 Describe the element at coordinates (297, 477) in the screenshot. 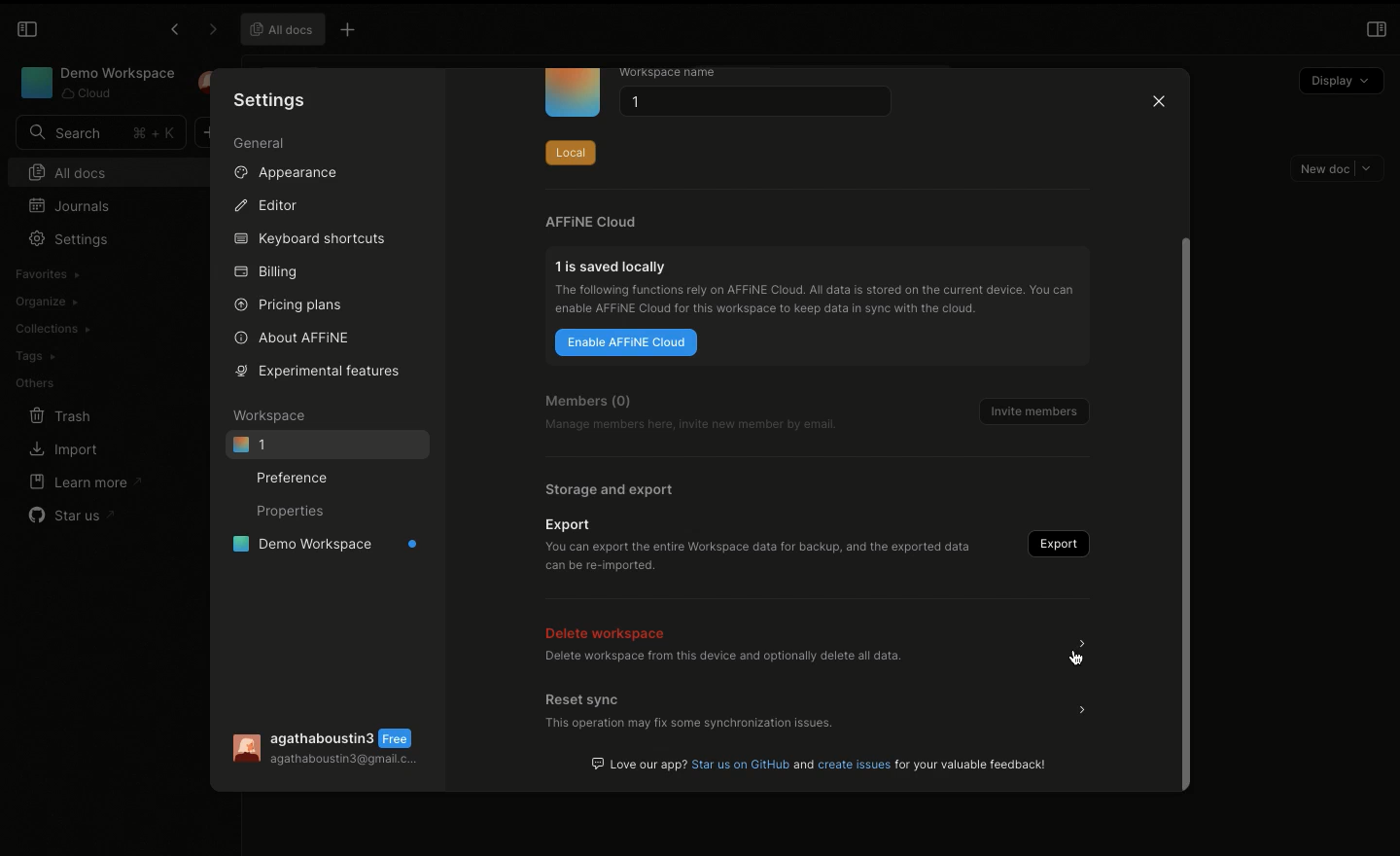

I see `Preference` at that location.